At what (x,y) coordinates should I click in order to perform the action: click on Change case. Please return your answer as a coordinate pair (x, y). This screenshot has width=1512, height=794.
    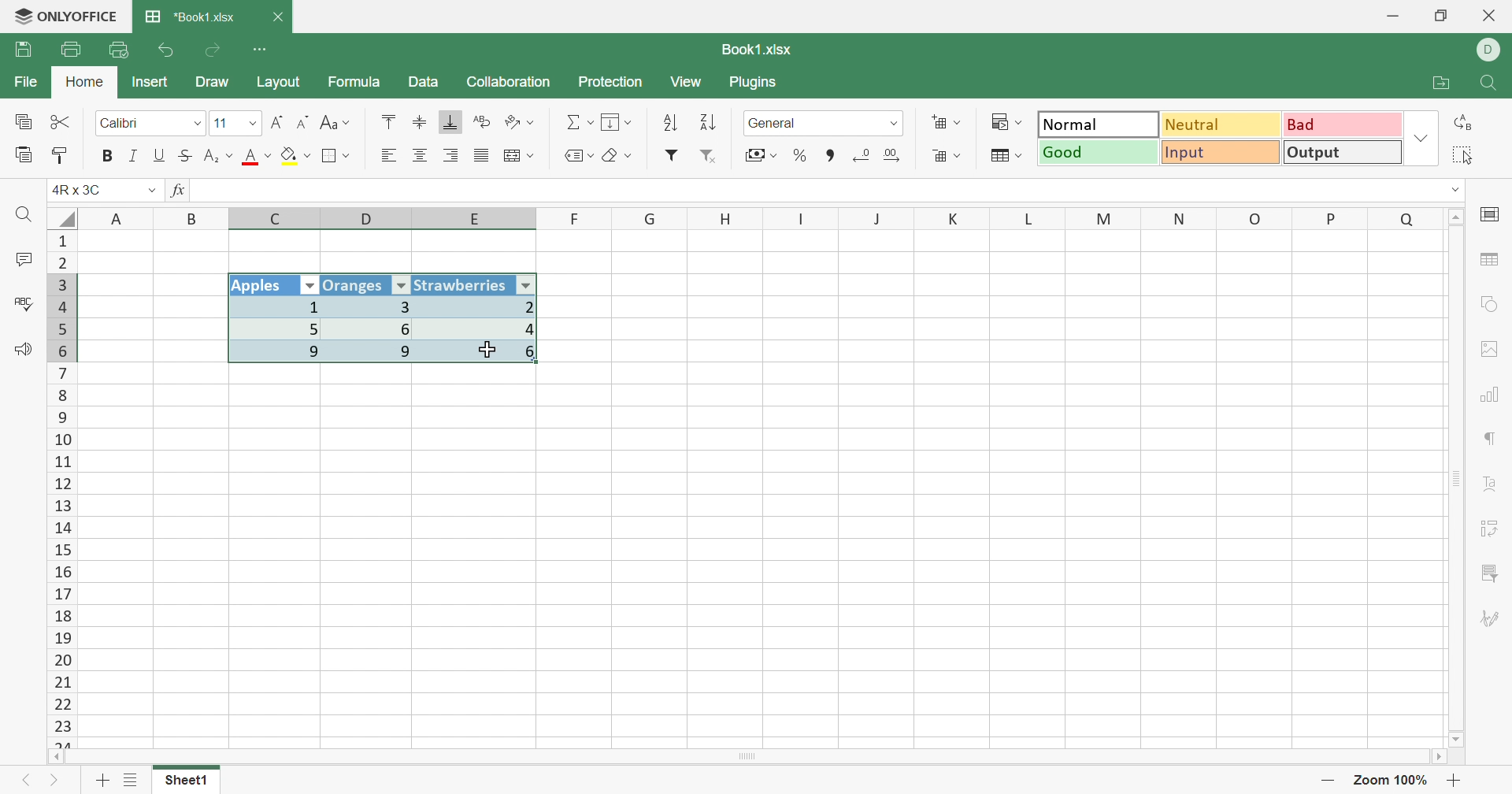
    Looking at the image, I should click on (335, 124).